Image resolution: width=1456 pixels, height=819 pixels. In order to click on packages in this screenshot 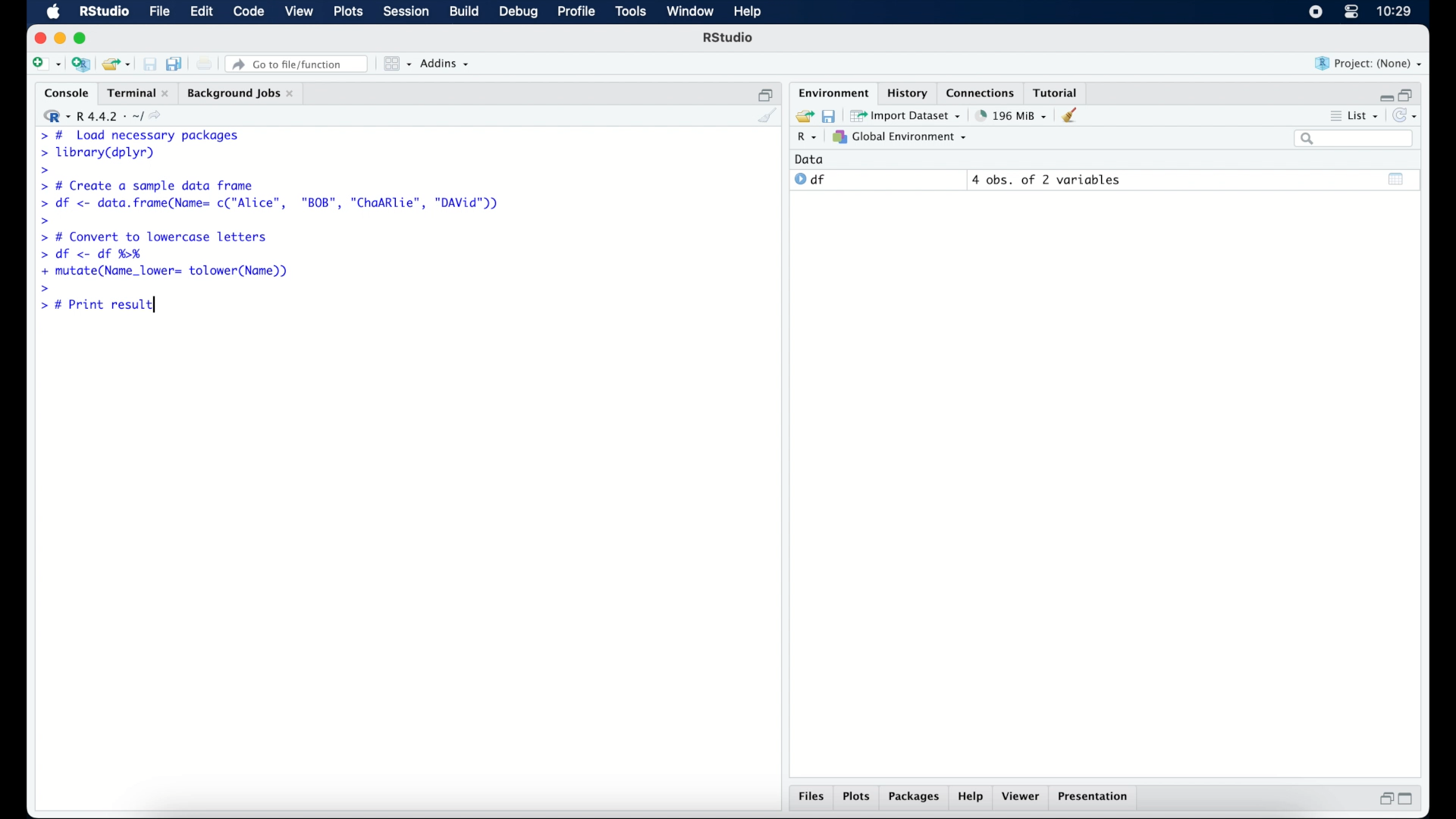, I will do `click(915, 799)`.